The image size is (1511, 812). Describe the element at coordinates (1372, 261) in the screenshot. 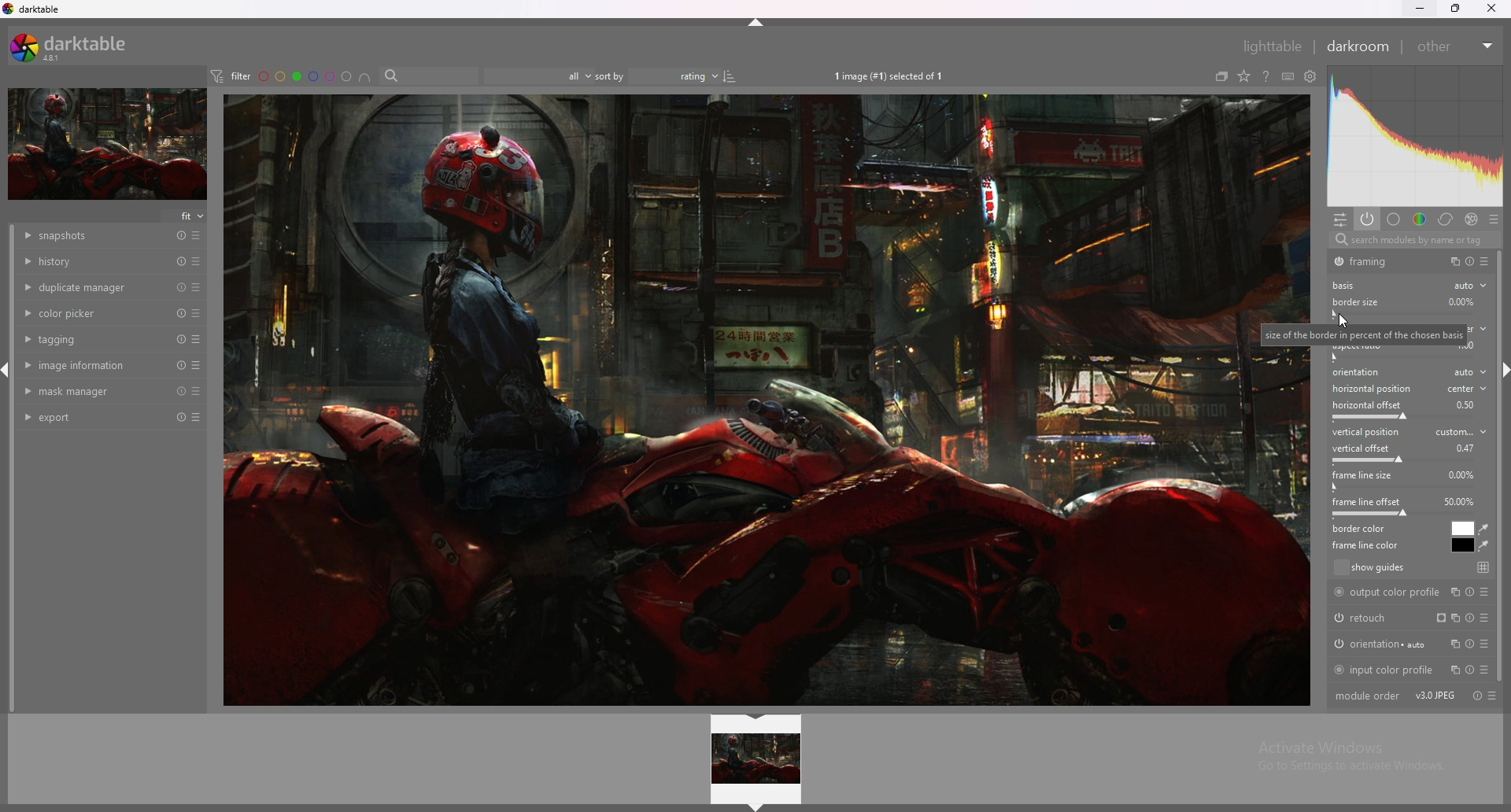

I see `framing` at that location.